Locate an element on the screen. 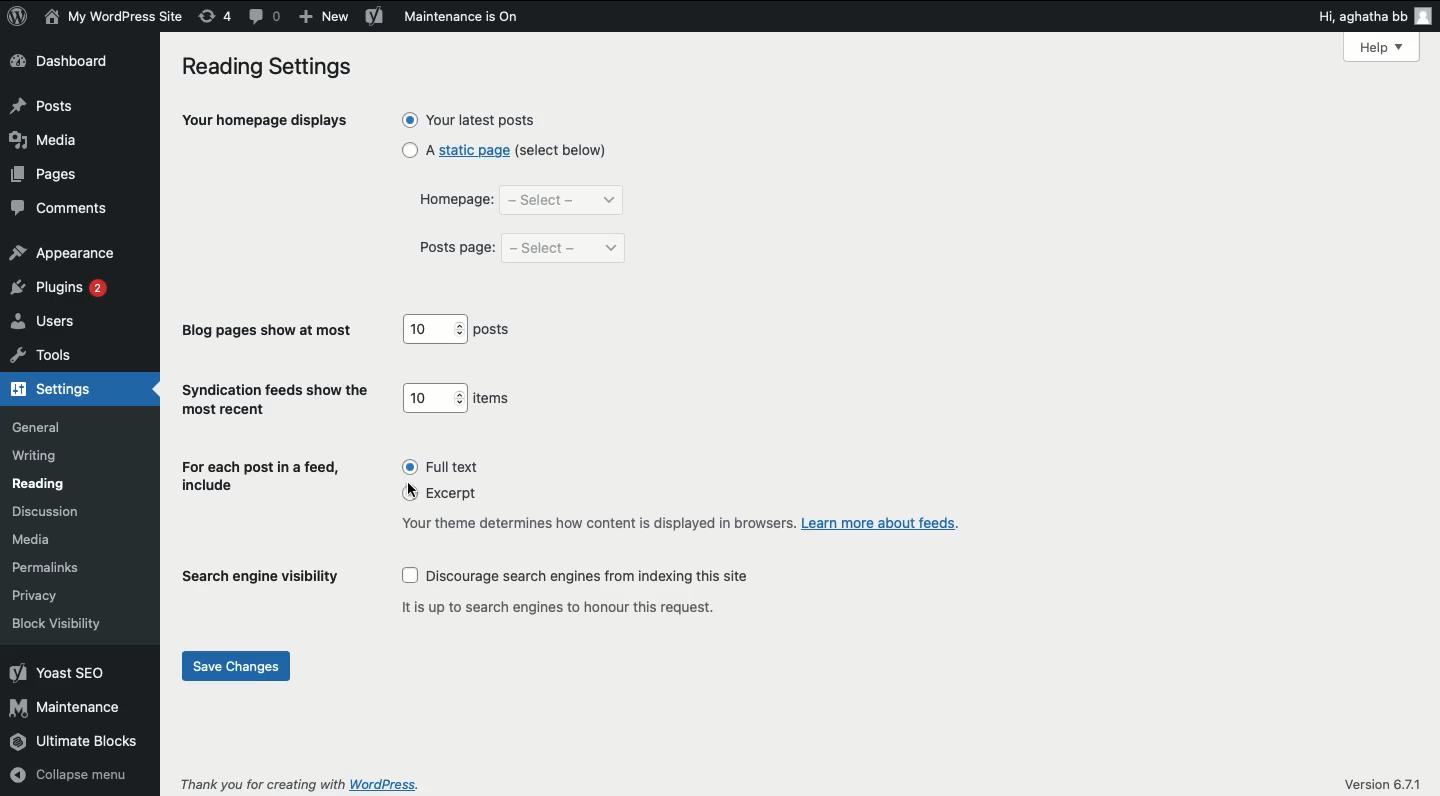 The width and height of the screenshot is (1440, 796). ultimate blocks is located at coordinates (76, 740).